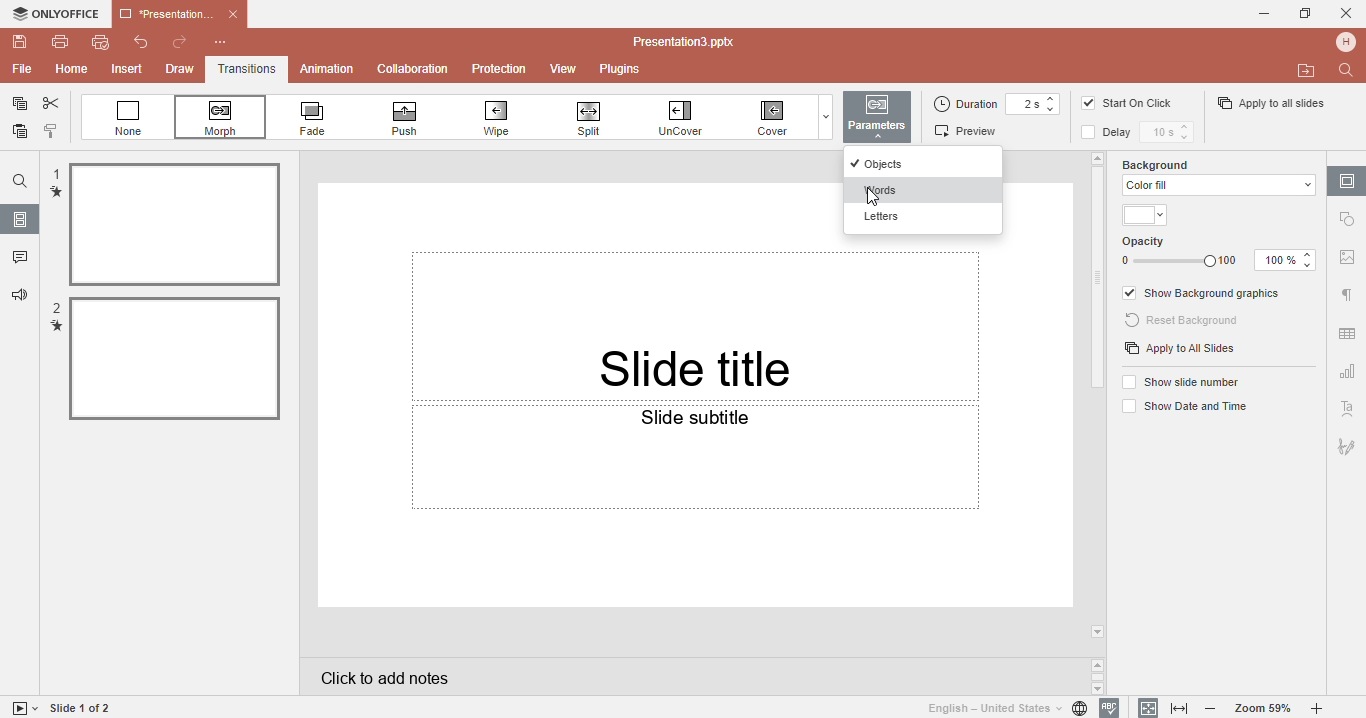 This screenshot has width=1366, height=718. I want to click on transition mark, so click(56, 192).